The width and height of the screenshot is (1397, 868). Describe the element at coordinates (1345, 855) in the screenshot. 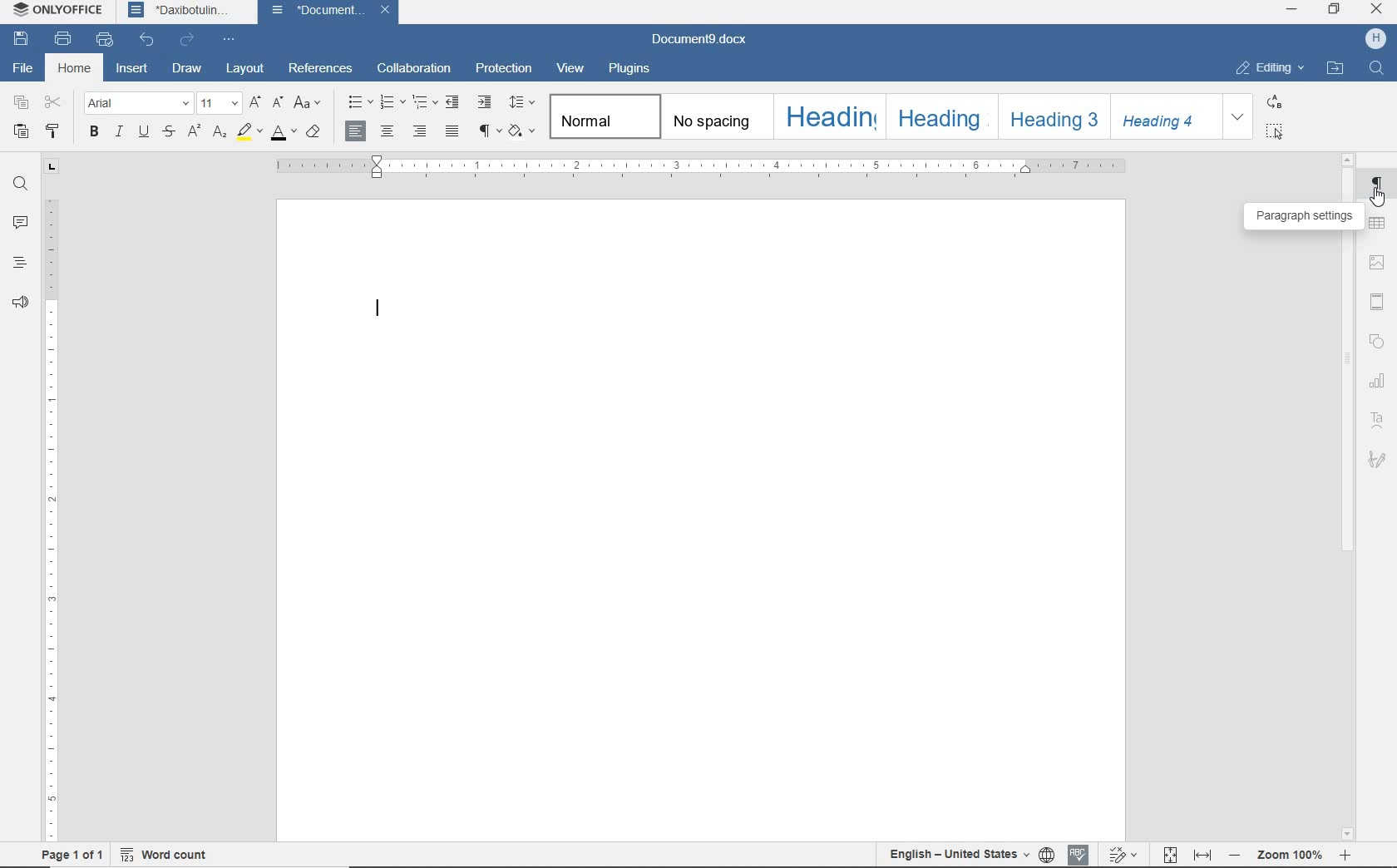

I see `zoom in` at that location.